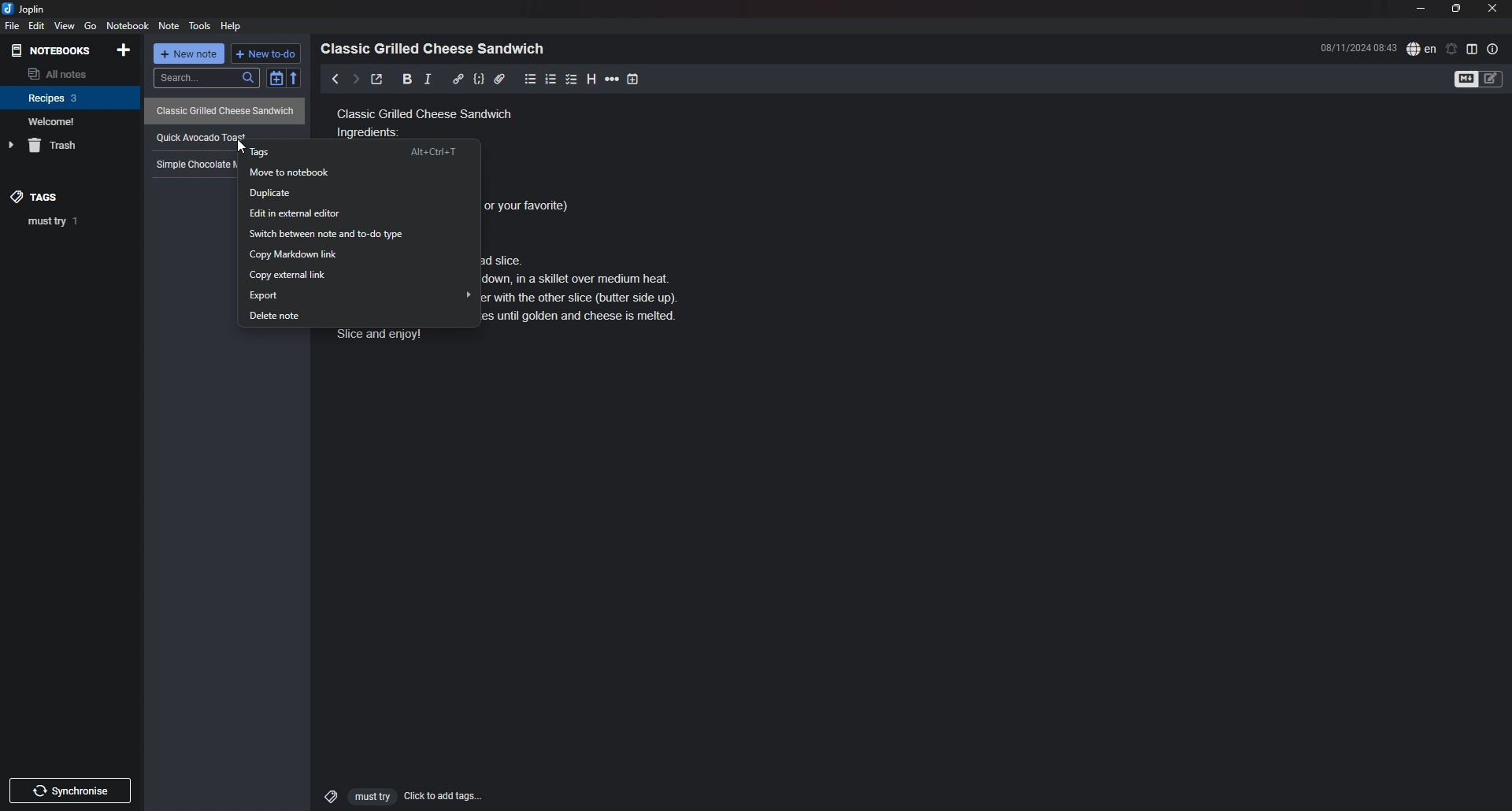 The width and height of the screenshot is (1512, 811). Describe the element at coordinates (72, 146) in the screenshot. I see `trash` at that location.